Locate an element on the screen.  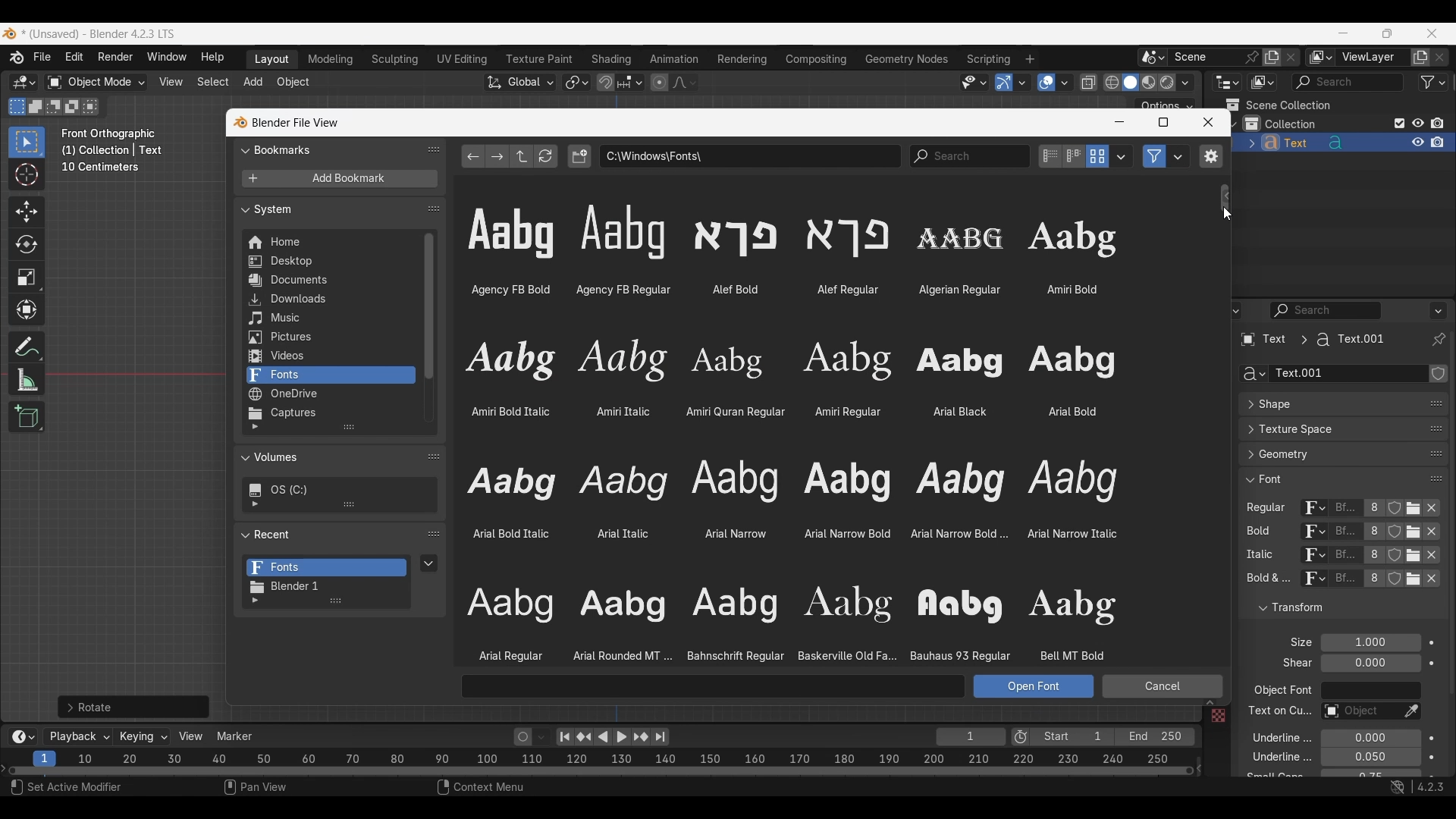
type in is located at coordinates (714, 686).